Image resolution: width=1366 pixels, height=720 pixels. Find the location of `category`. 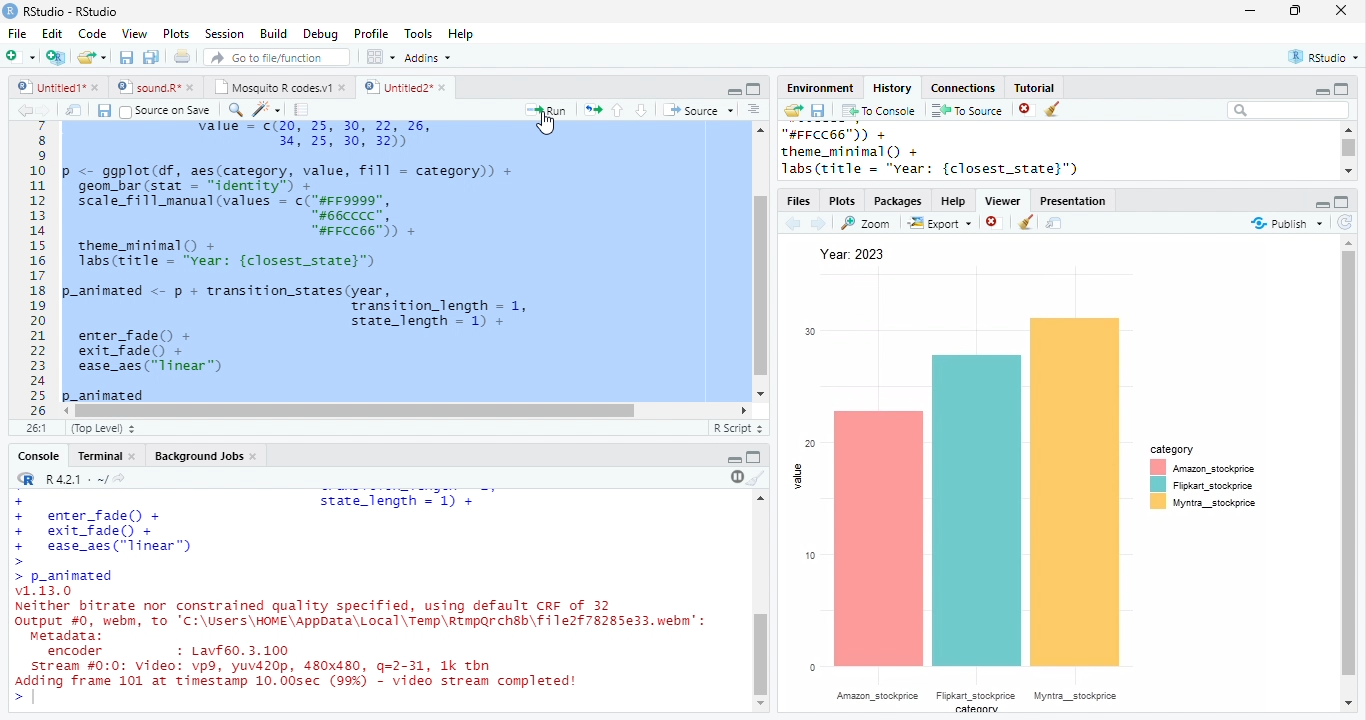

category is located at coordinates (1177, 449).